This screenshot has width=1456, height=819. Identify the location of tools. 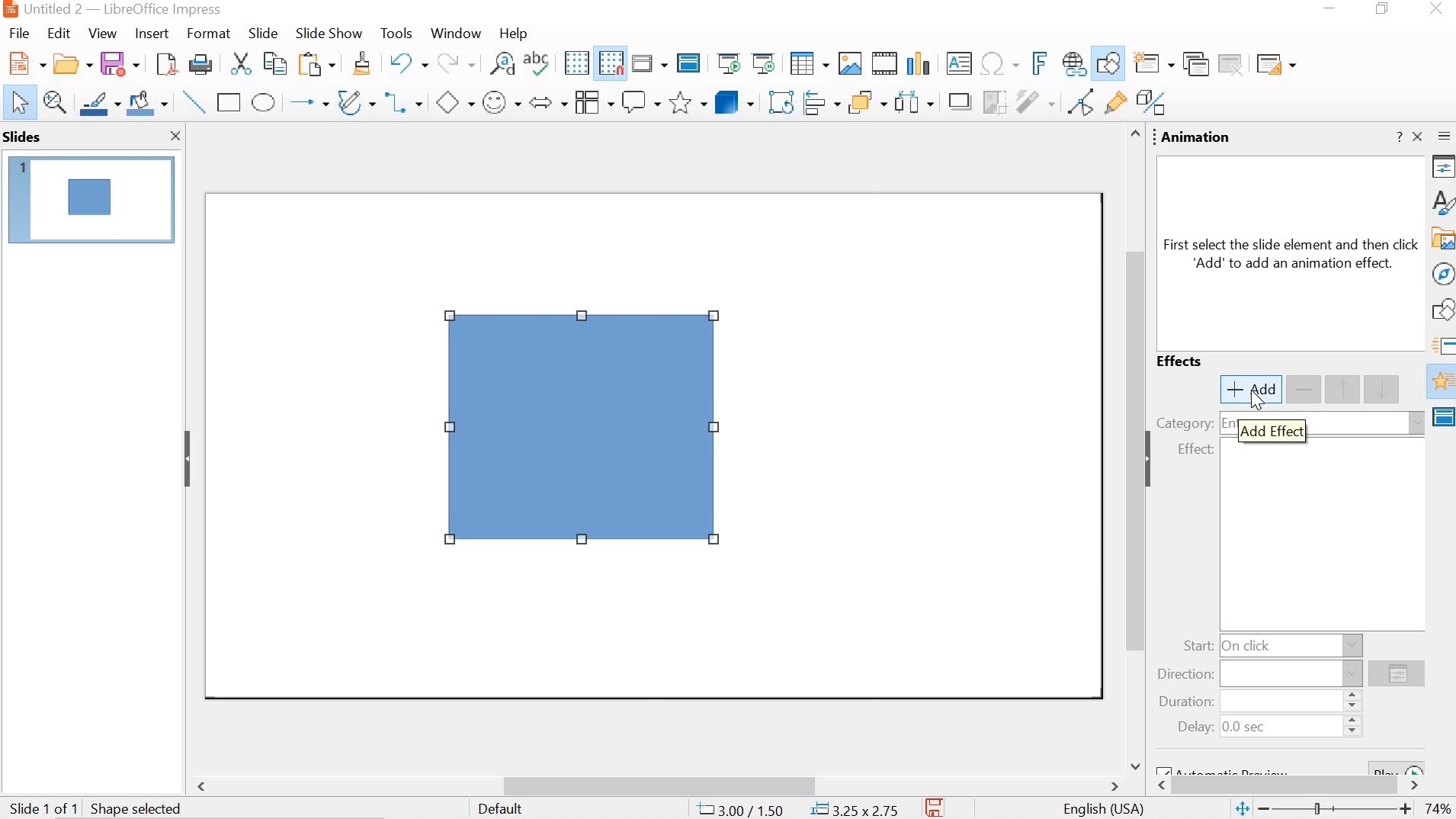
(398, 32).